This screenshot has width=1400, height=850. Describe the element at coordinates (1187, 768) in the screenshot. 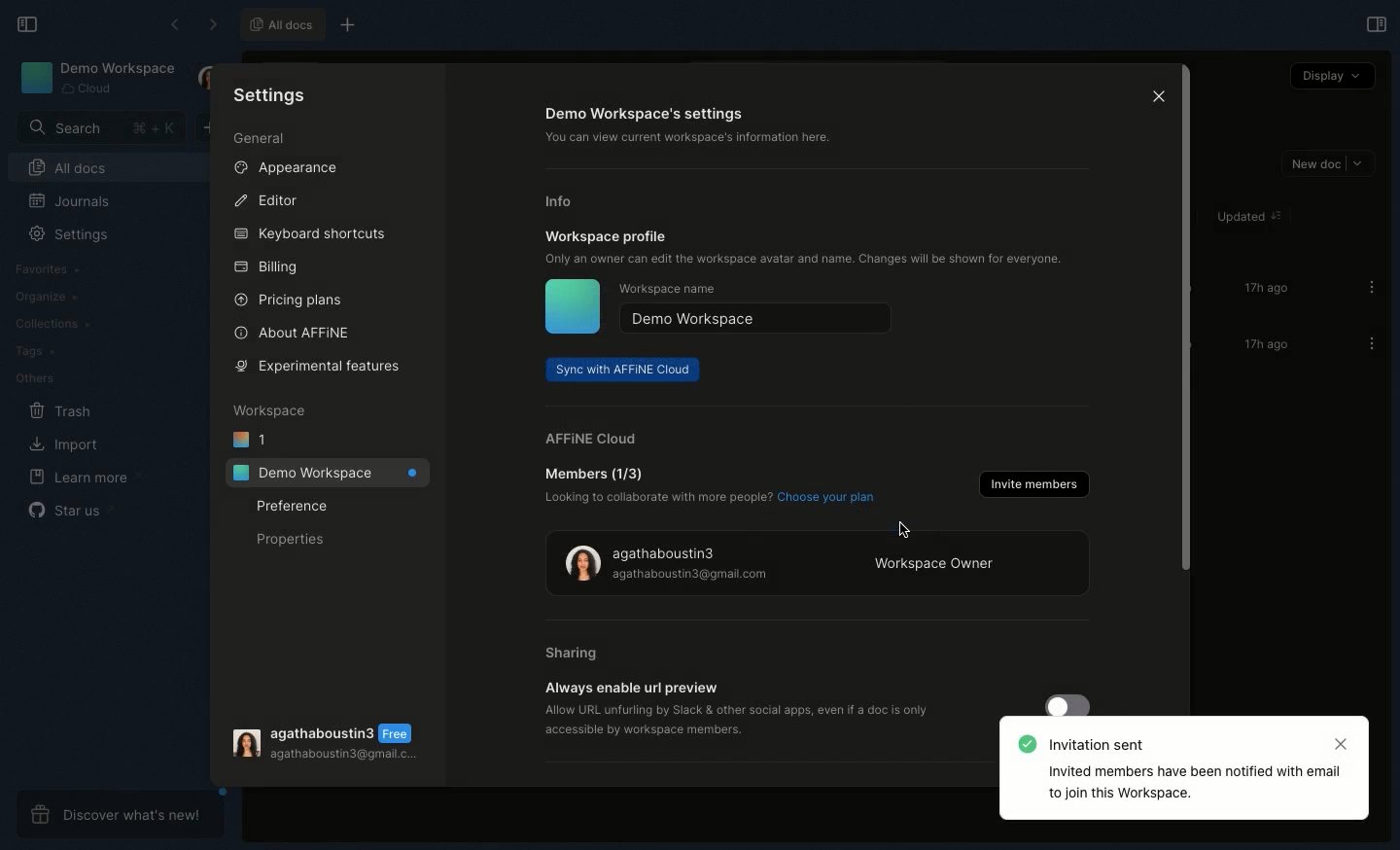

I see `Invitation sent` at that location.